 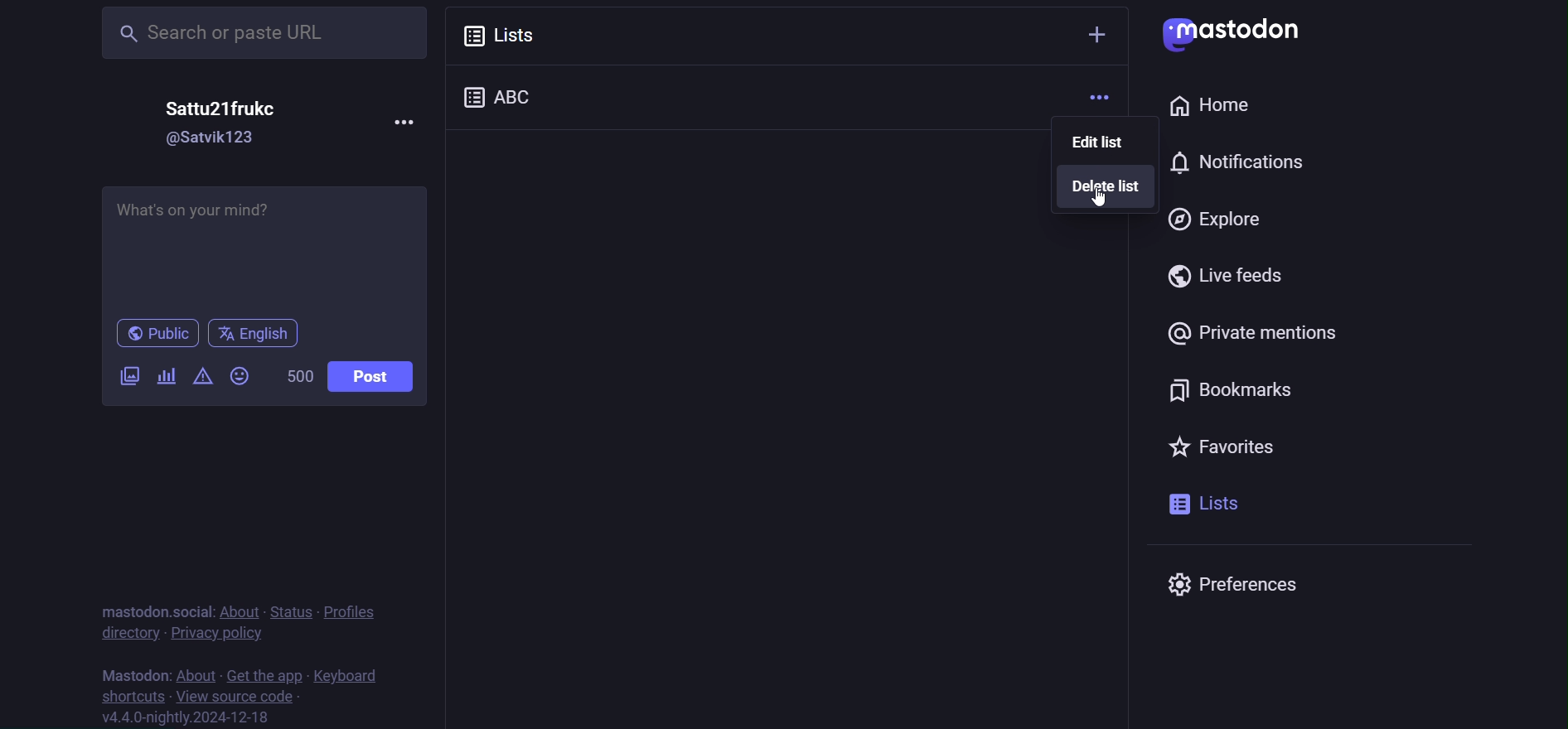 What do you see at coordinates (1205, 504) in the screenshot?
I see `lists` at bounding box center [1205, 504].